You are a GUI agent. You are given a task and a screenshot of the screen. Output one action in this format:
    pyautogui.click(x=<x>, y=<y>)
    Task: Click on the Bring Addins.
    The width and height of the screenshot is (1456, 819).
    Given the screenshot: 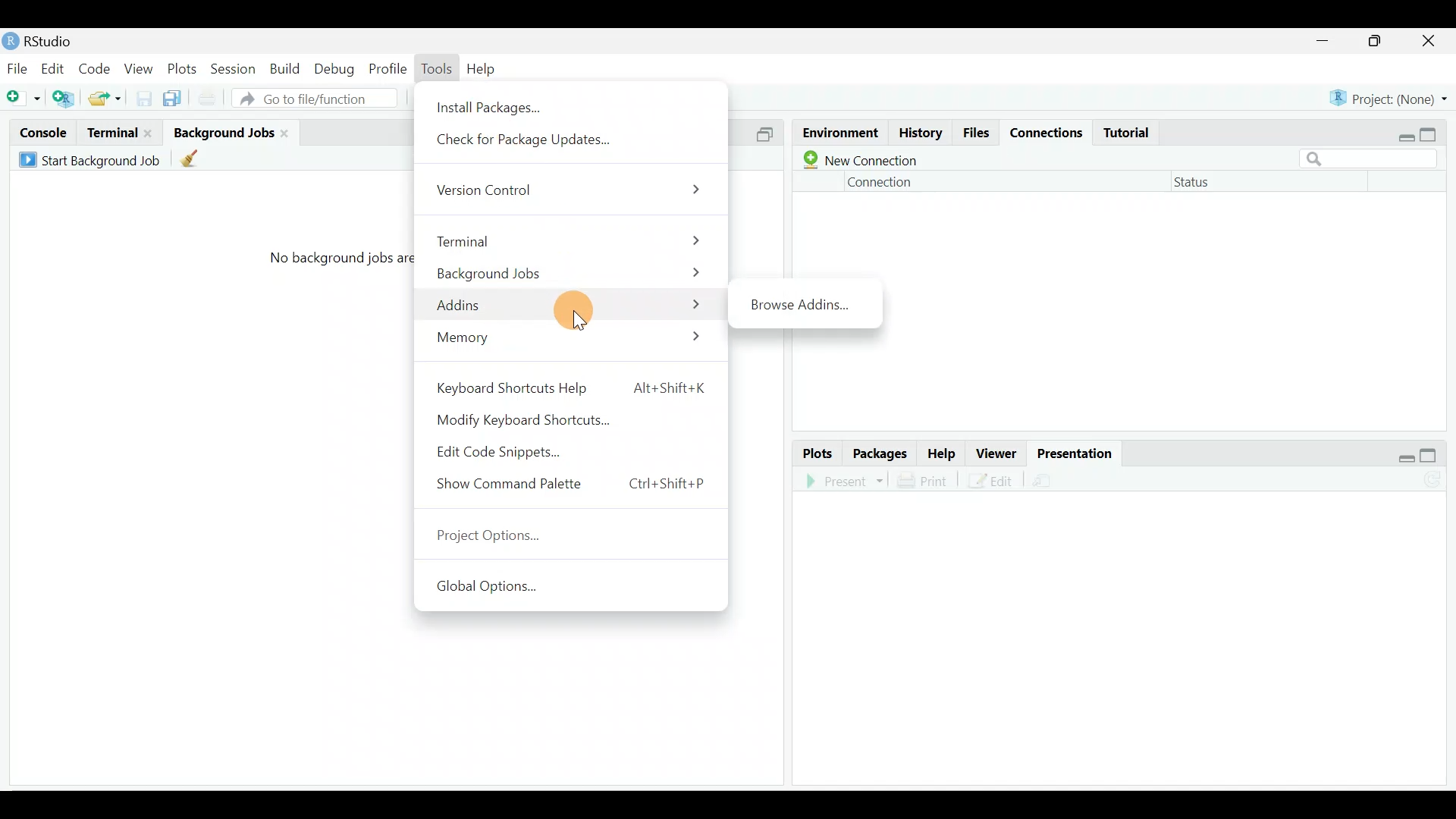 What is the action you would take?
    pyautogui.click(x=801, y=301)
    